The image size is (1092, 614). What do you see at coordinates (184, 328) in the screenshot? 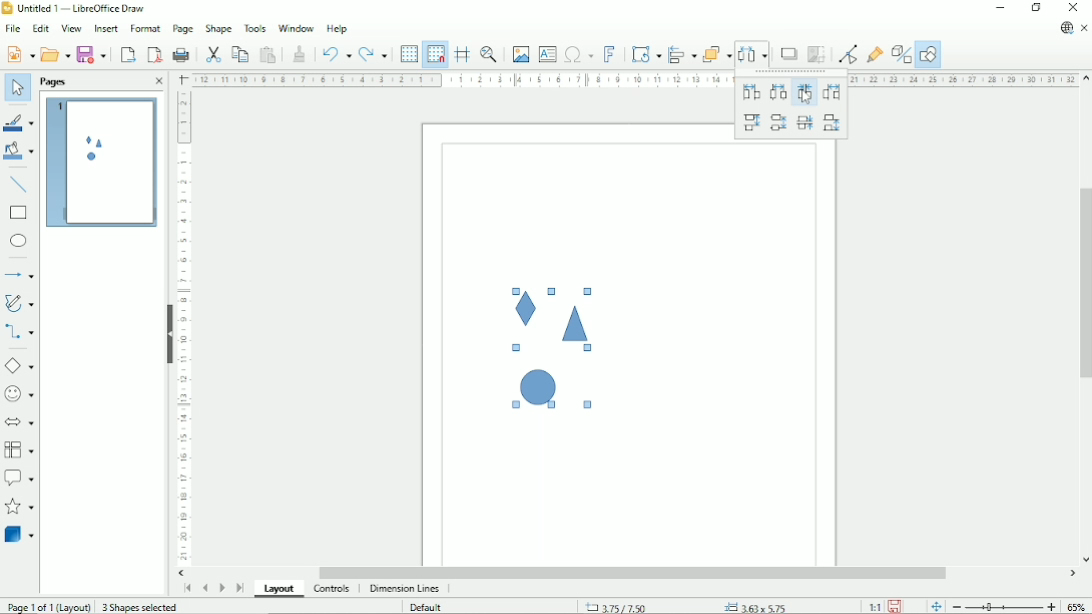
I see `Vertical scale` at bounding box center [184, 328].